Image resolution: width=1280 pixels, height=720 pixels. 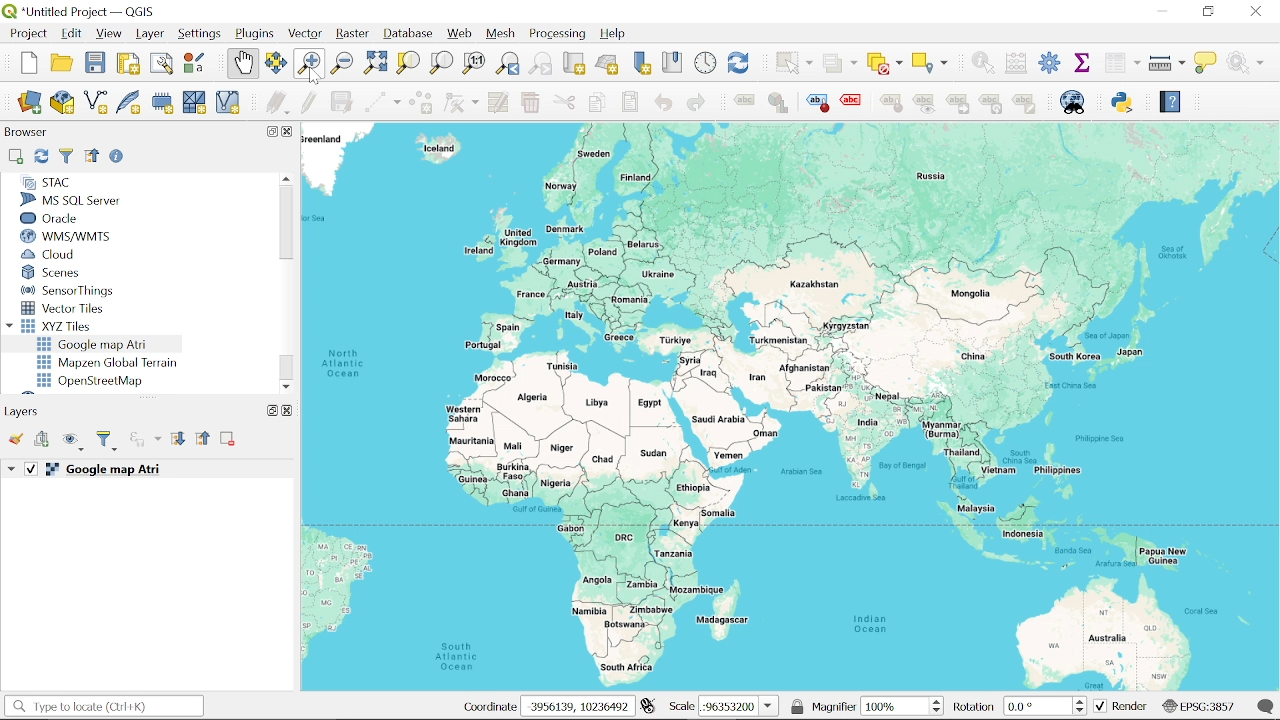 What do you see at coordinates (145, 441) in the screenshot?
I see `insert audio` at bounding box center [145, 441].